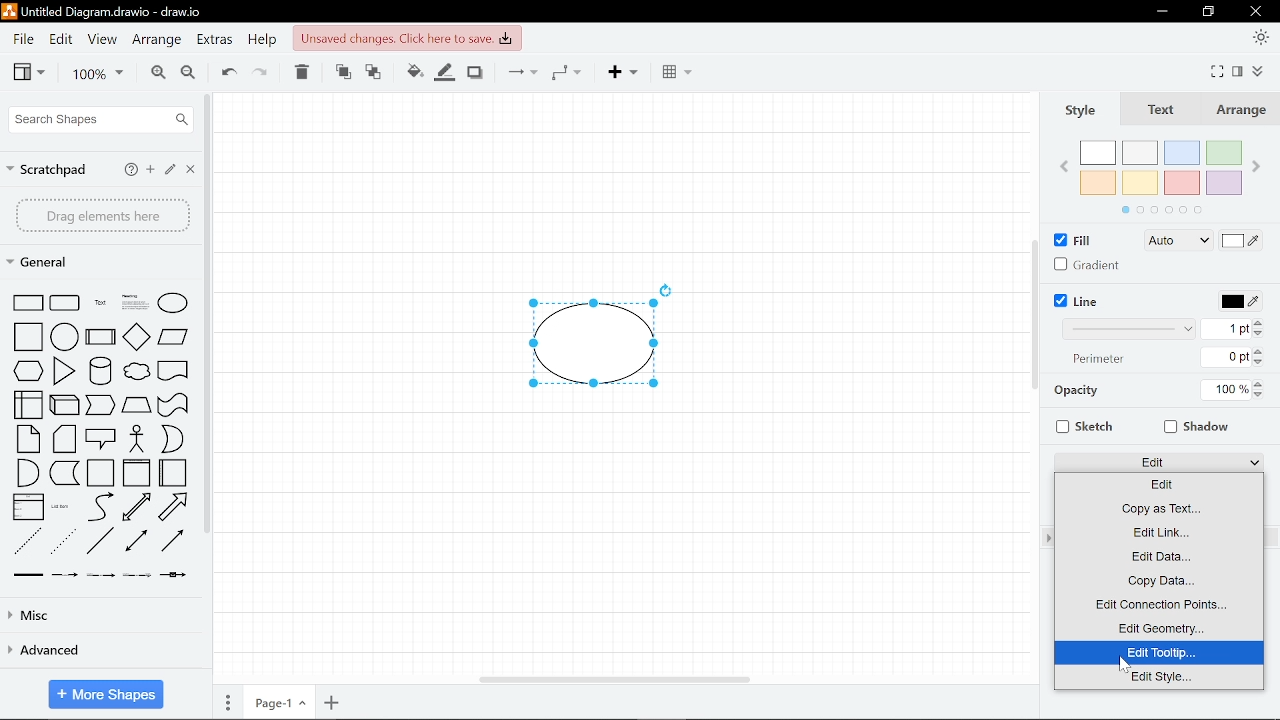  Describe the element at coordinates (605, 333) in the screenshot. I see `Current diagram` at that location.